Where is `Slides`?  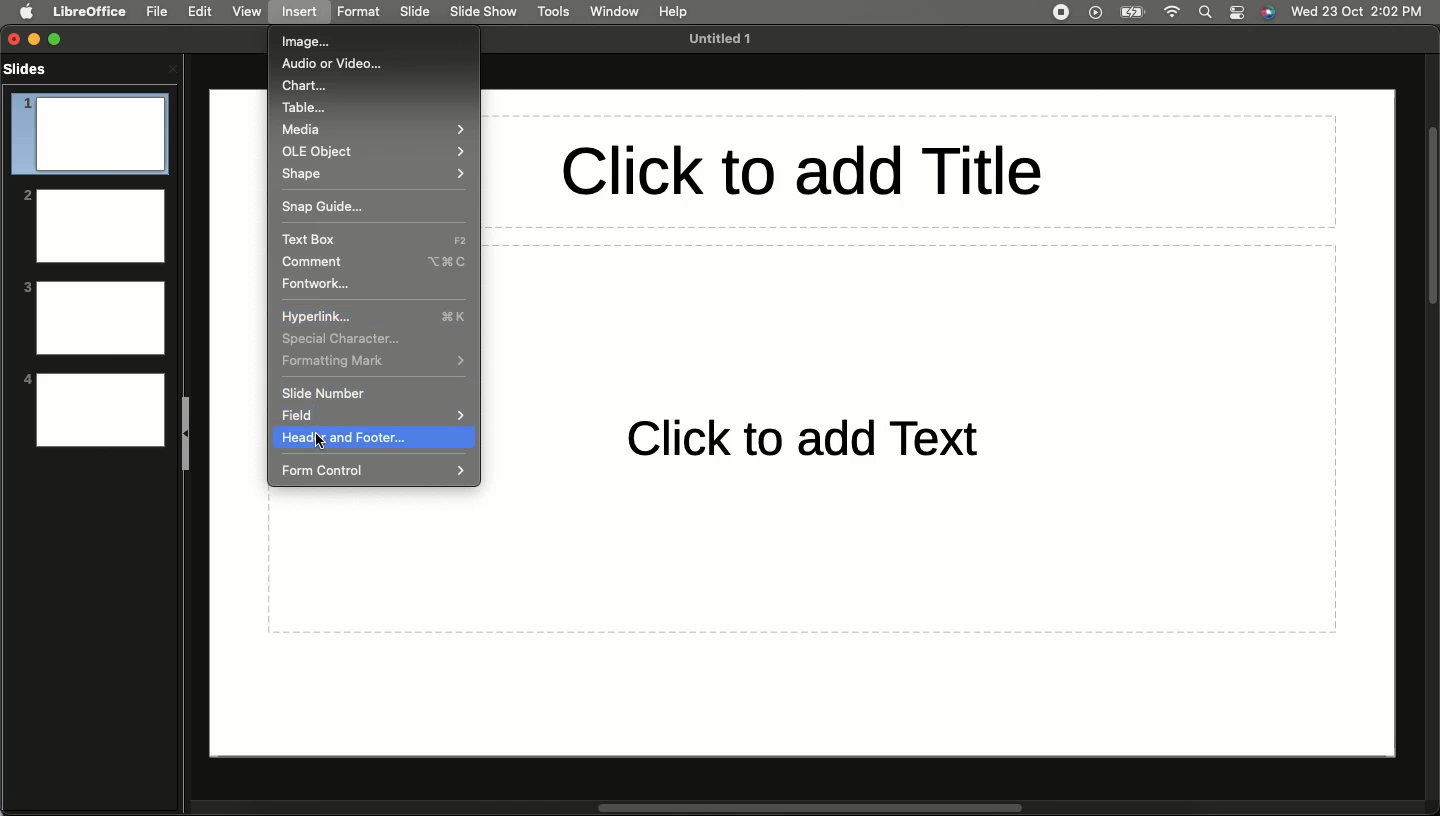
Slides is located at coordinates (31, 68).